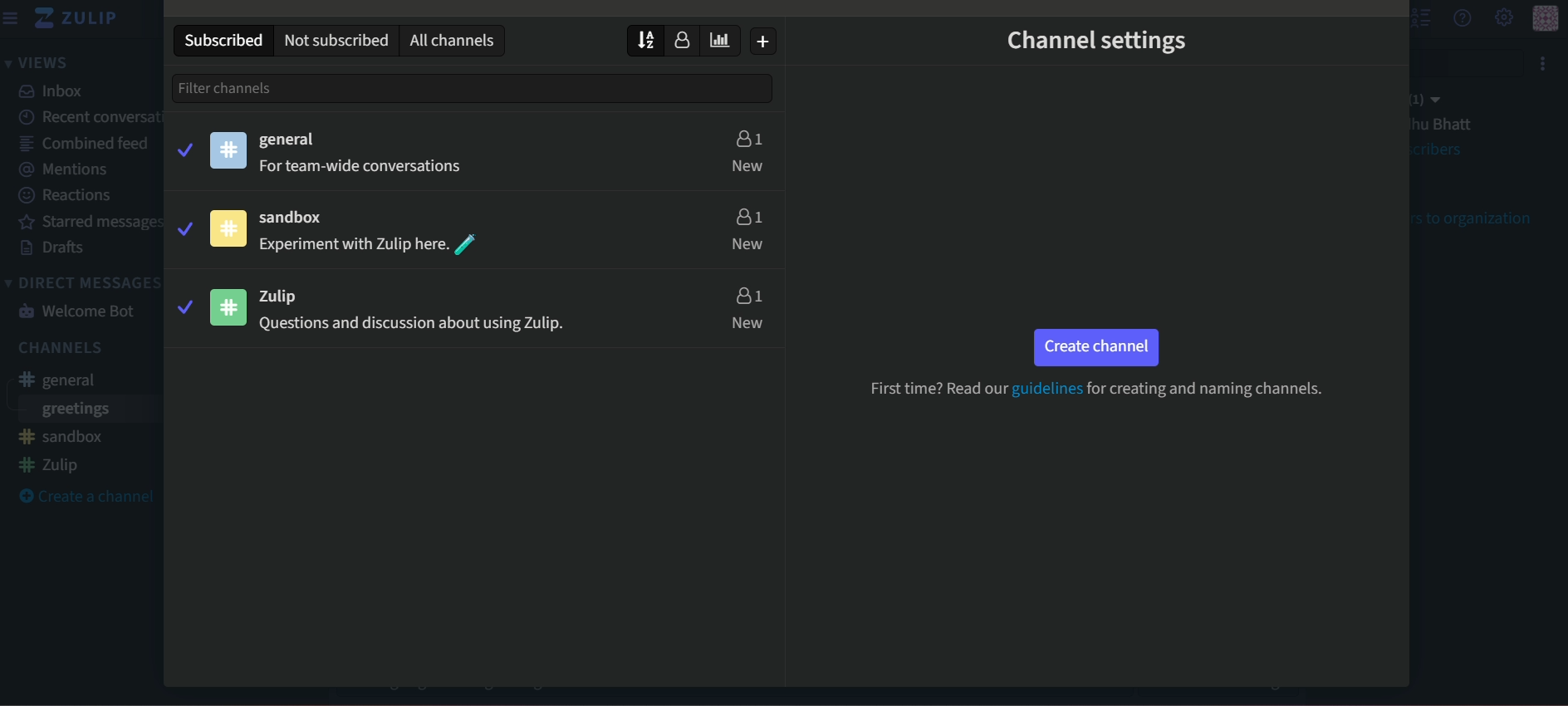 This screenshot has width=1568, height=706. Describe the element at coordinates (90, 496) in the screenshot. I see `create` at that location.